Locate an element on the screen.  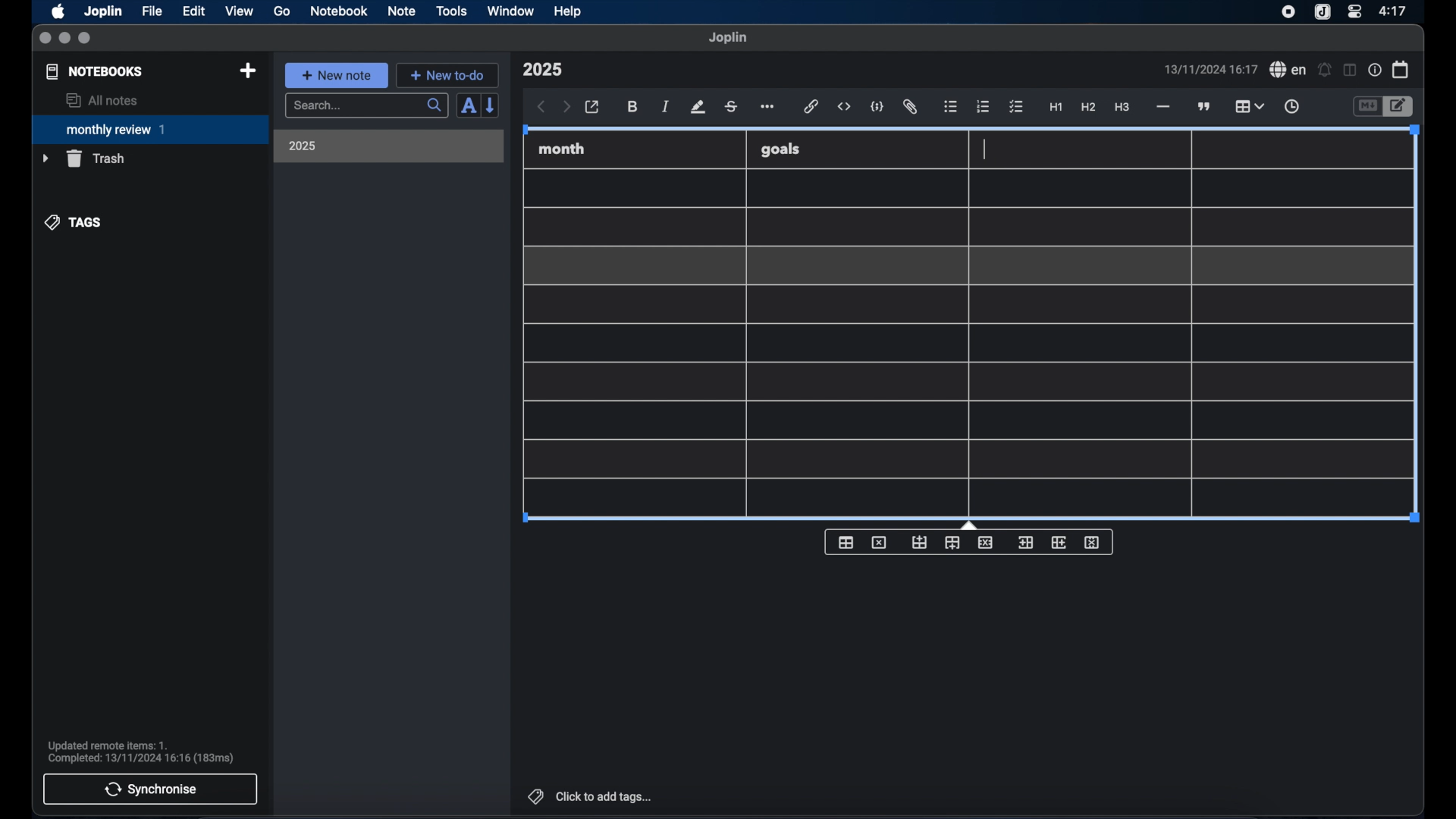
toggle editor layout is located at coordinates (1351, 70).